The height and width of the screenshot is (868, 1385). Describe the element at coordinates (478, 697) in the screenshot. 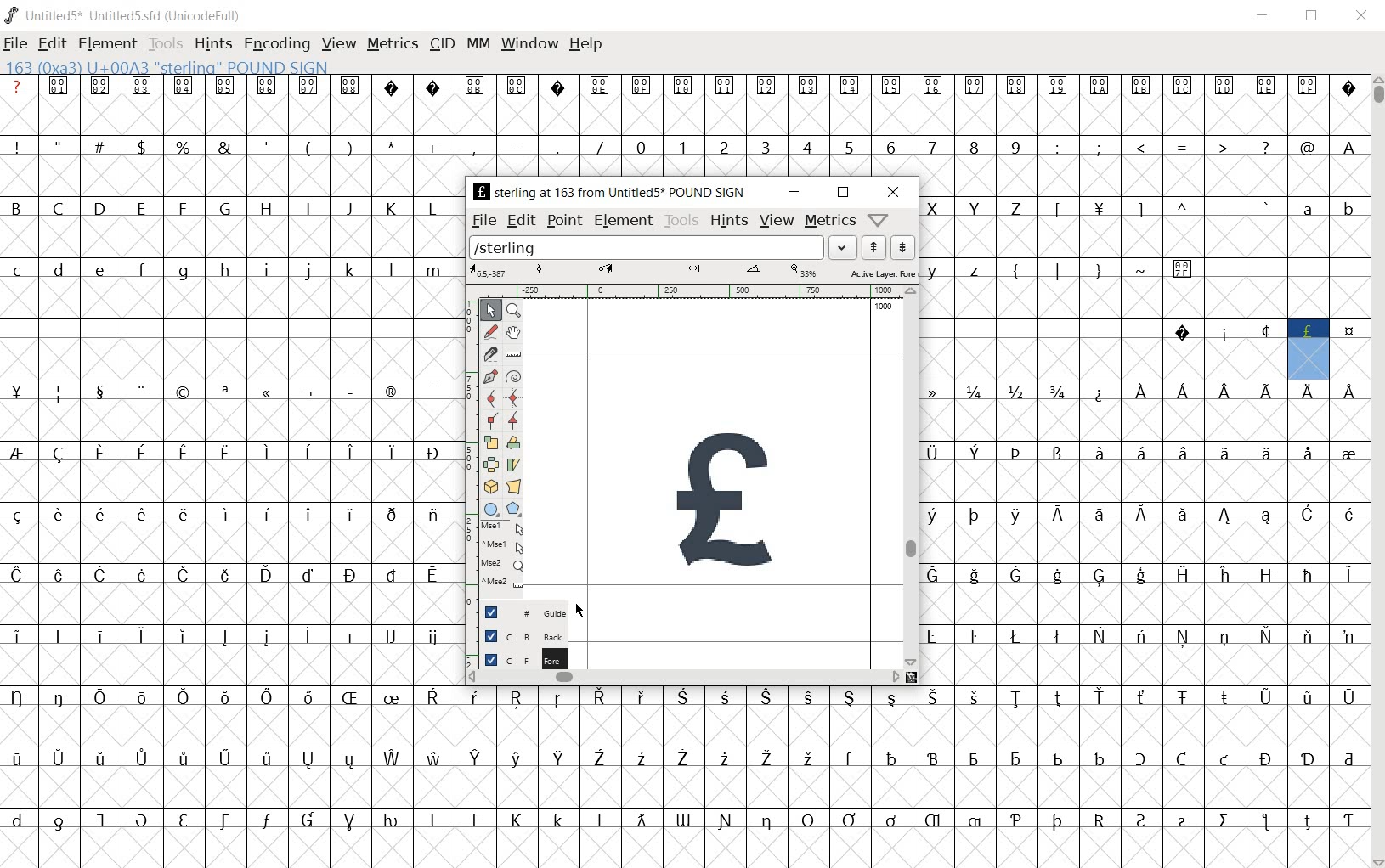

I see `Symbol` at that location.